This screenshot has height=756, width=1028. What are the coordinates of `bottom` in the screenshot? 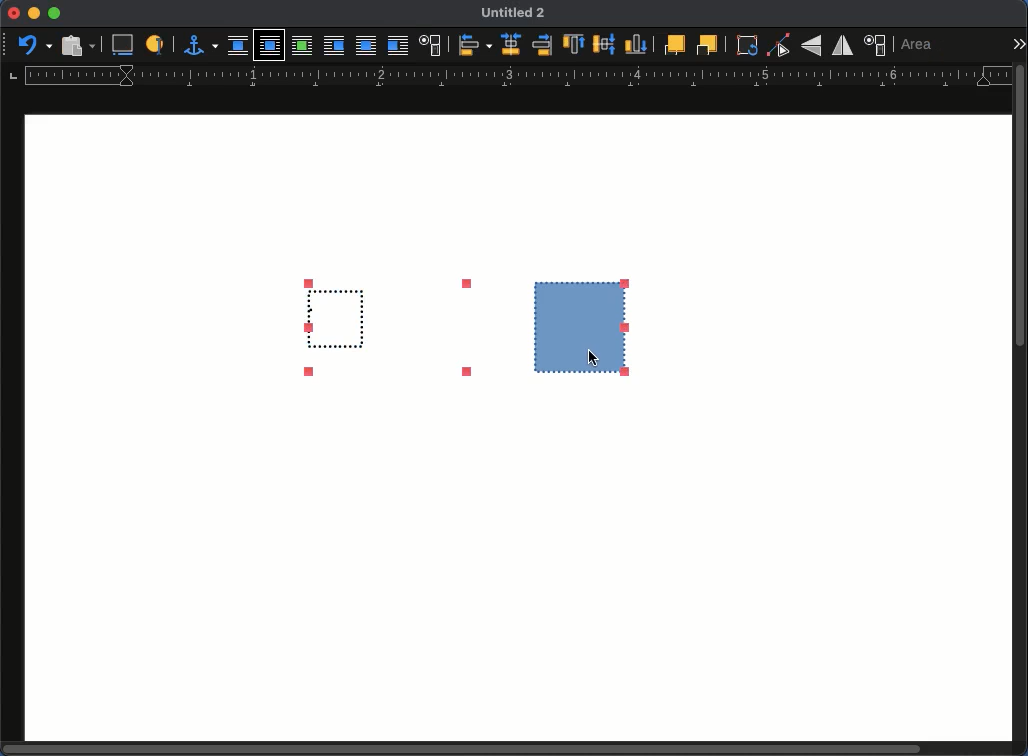 It's located at (634, 43).